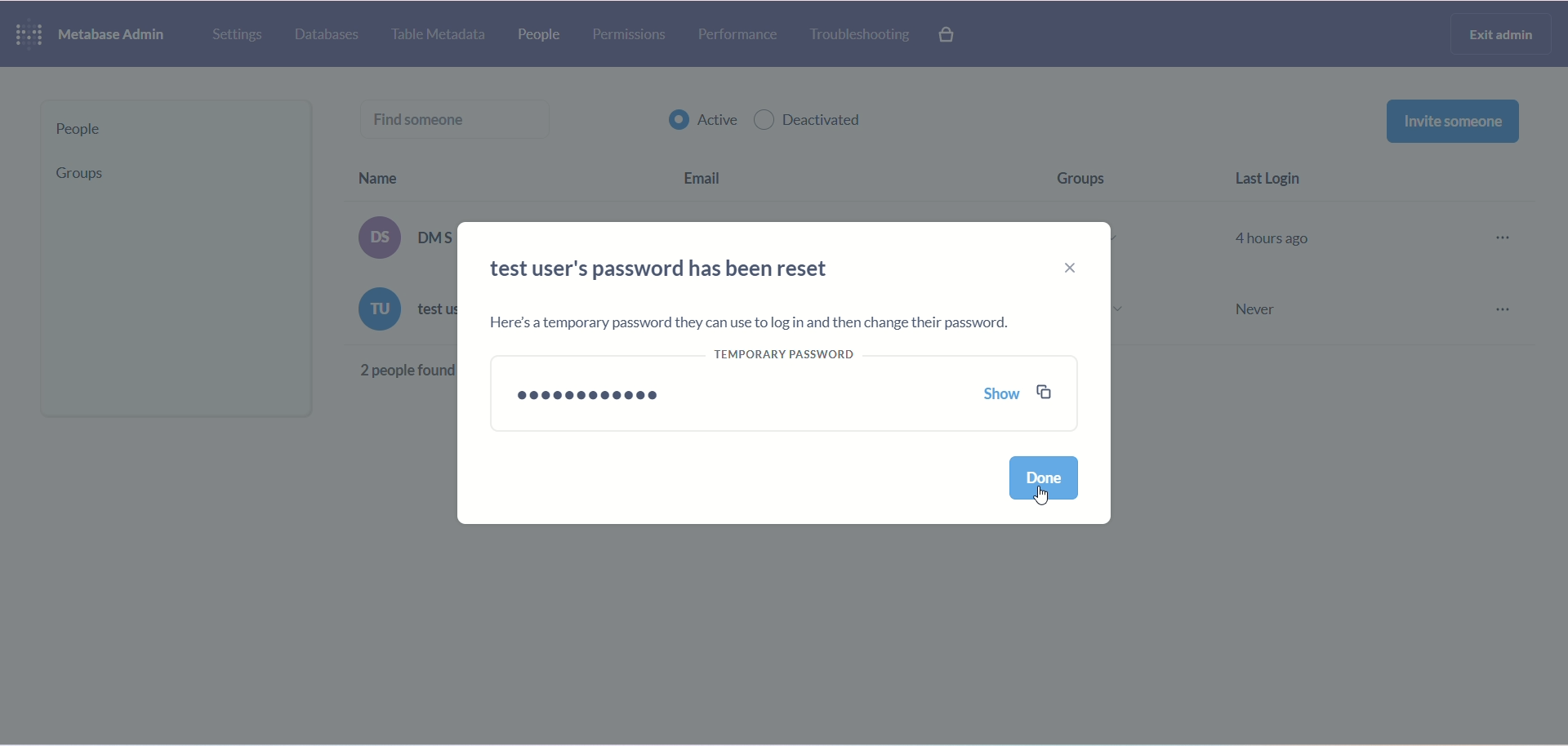  What do you see at coordinates (171, 130) in the screenshot?
I see `people` at bounding box center [171, 130].